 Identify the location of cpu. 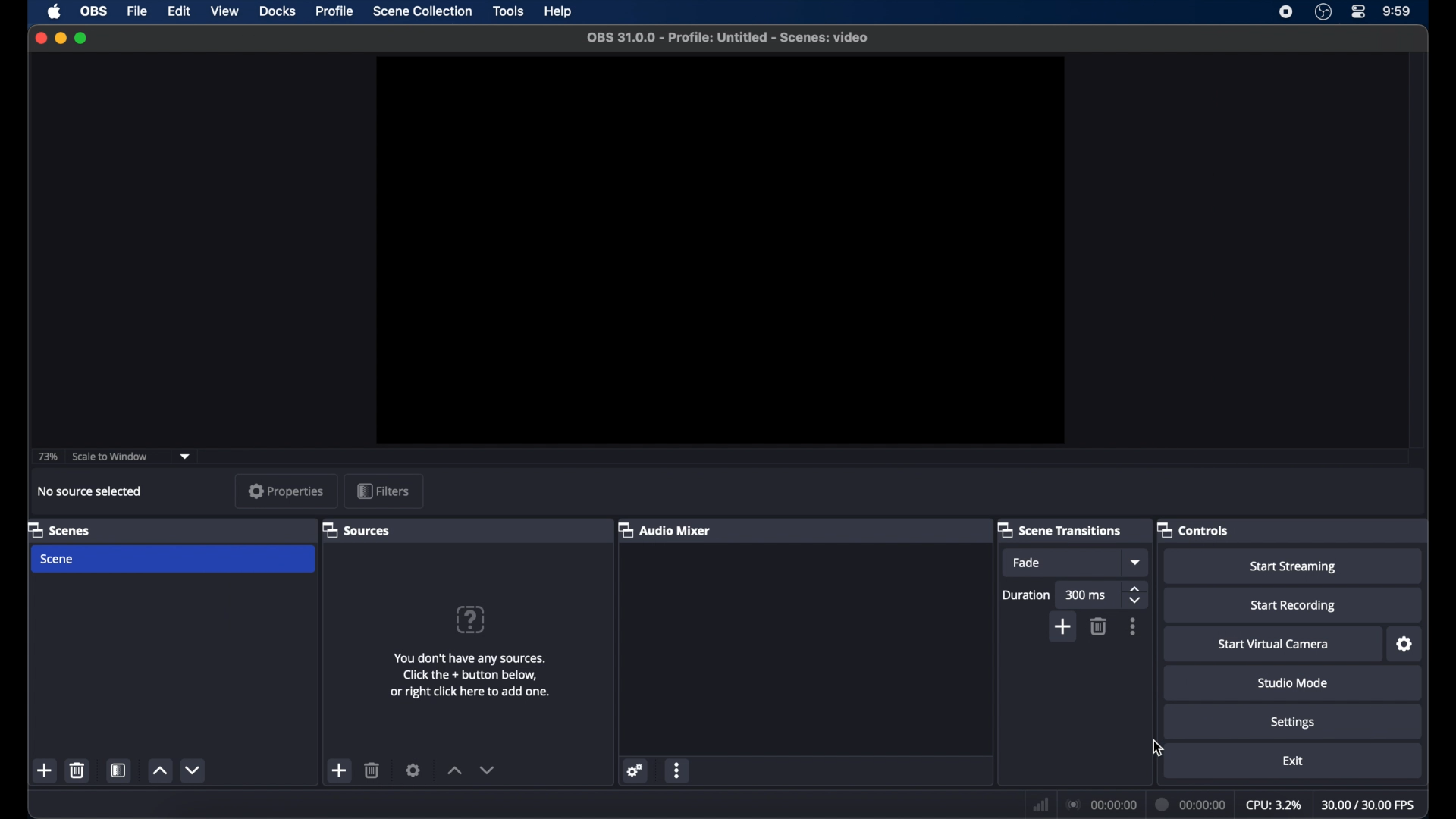
(1274, 805).